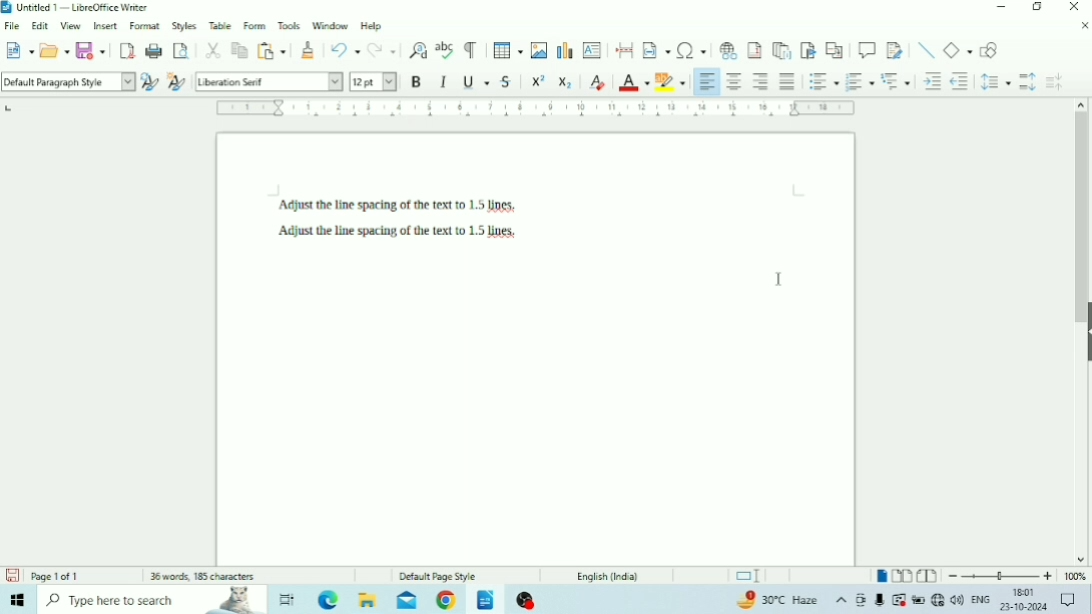  I want to click on Title, so click(83, 7).